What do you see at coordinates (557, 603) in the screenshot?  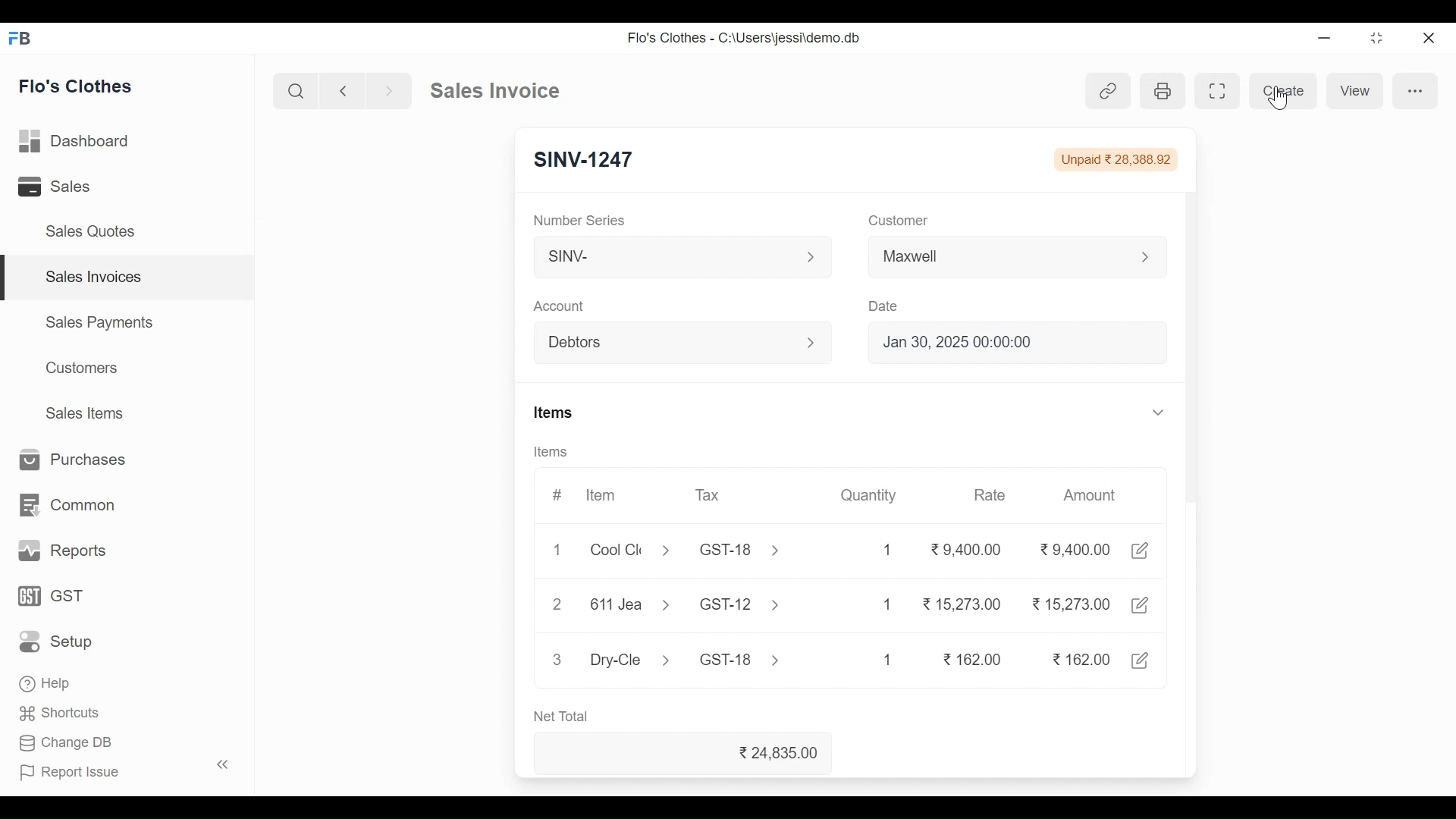 I see `2` at bounding box center [557, 603].